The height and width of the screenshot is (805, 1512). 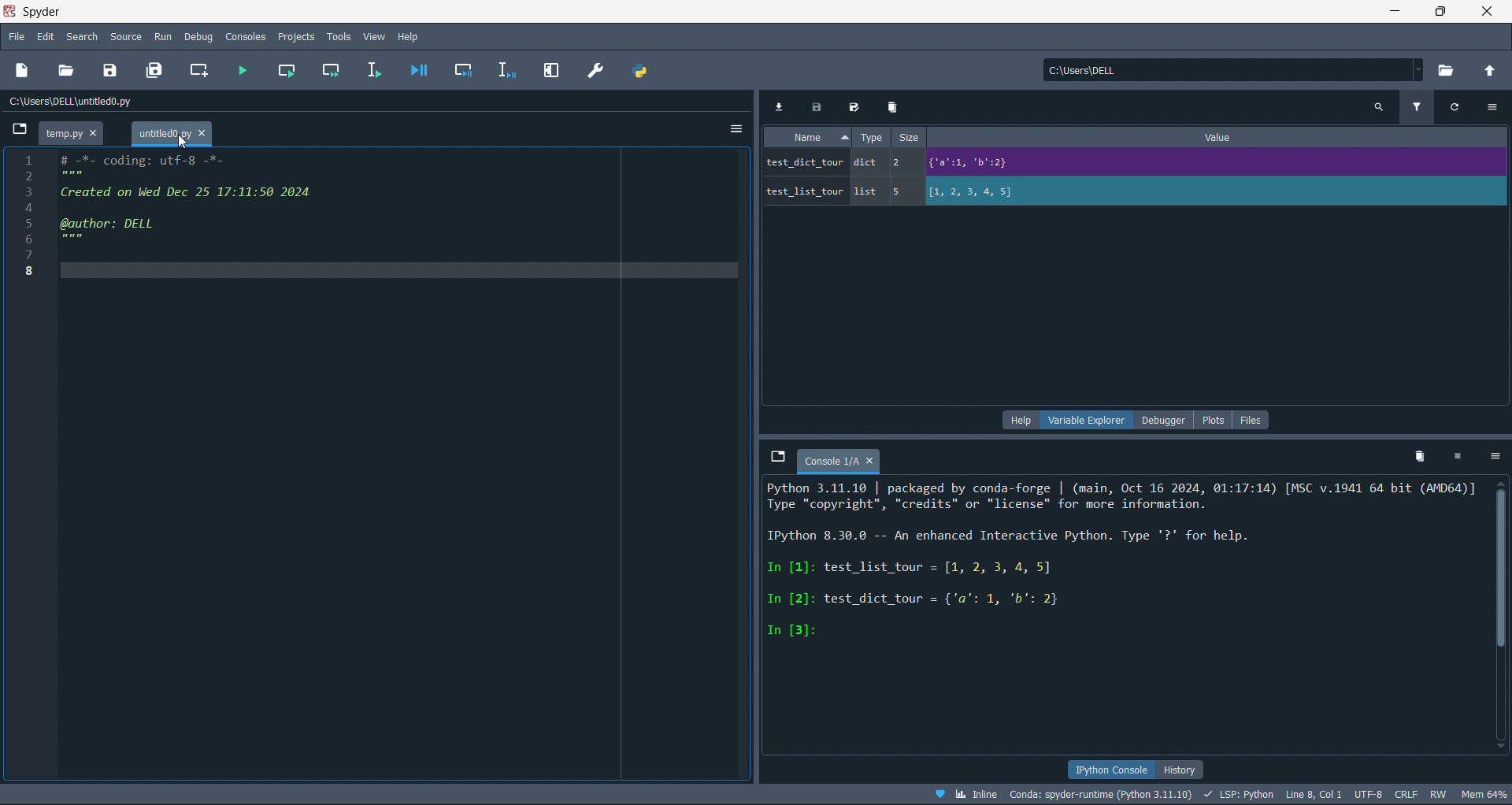 What do you see at coordinates (854, 106) in the screenshot?
I see `save data as` at bounding box center [854, 106].